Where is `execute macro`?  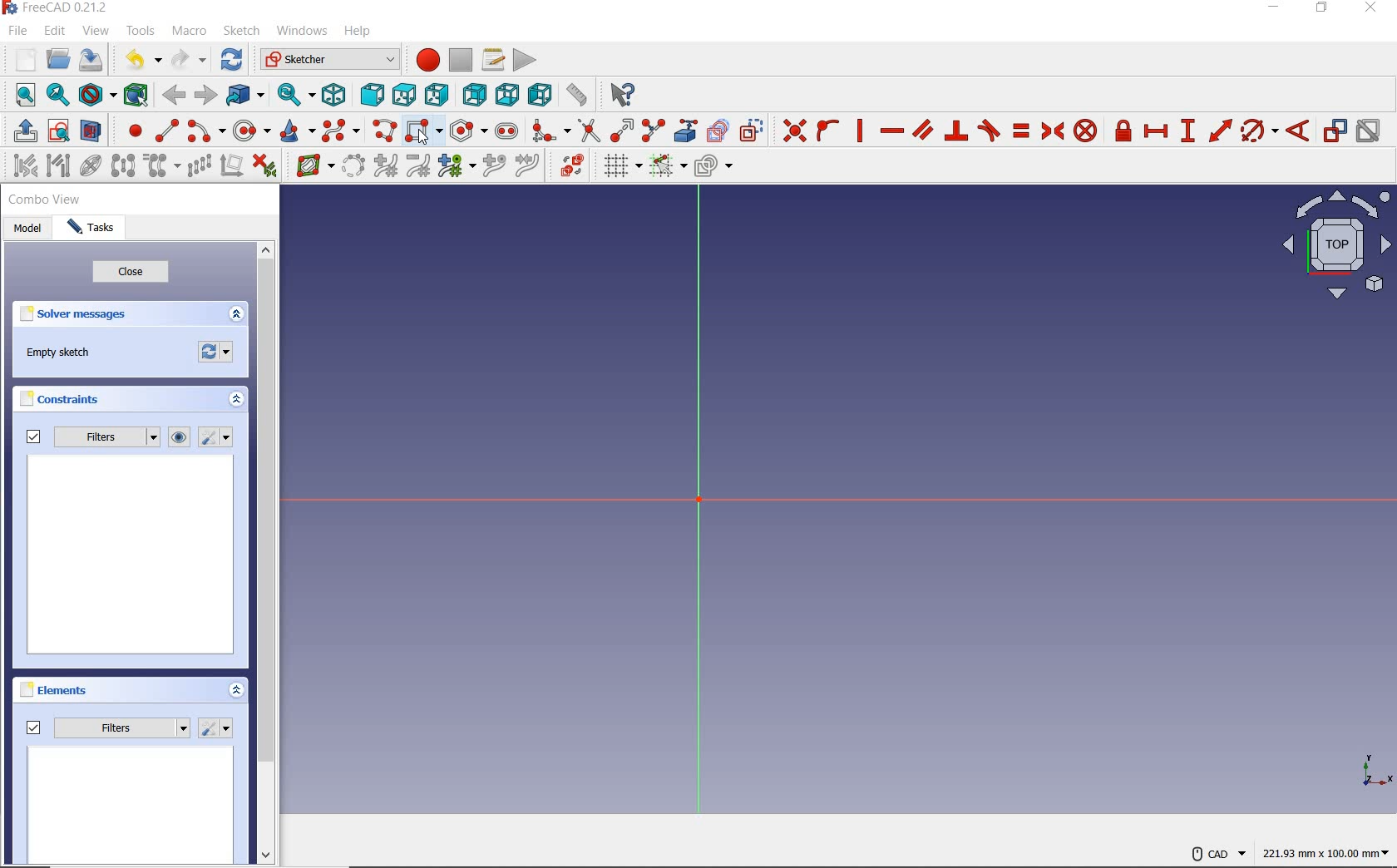
execute macro is located at coordinates (524, 60).